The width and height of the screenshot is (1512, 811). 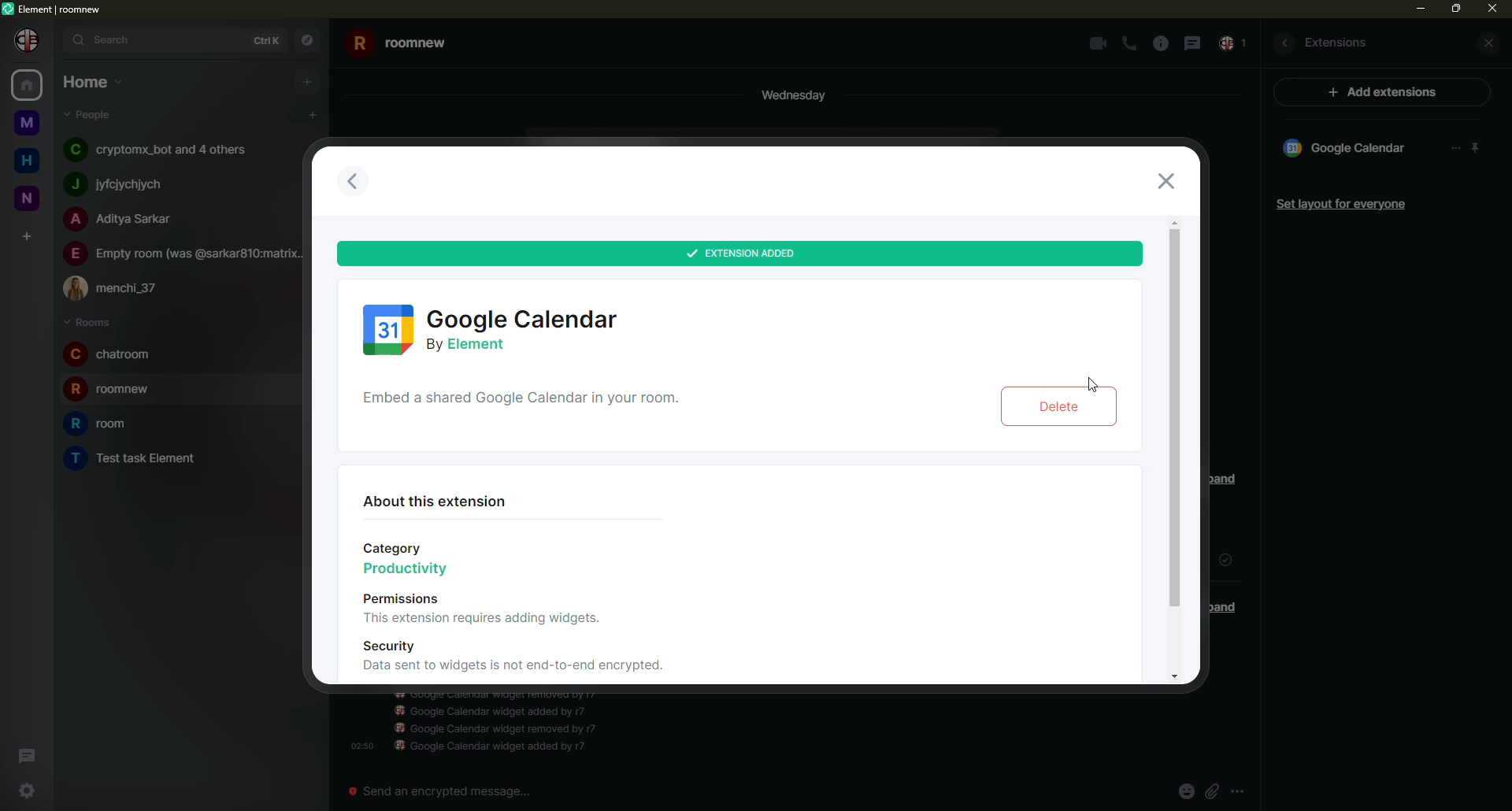 What do you see at coordinates (482, 619) in the screenshot?
I see `This extension requires adding widgets.` at bounding box center [482, 619].